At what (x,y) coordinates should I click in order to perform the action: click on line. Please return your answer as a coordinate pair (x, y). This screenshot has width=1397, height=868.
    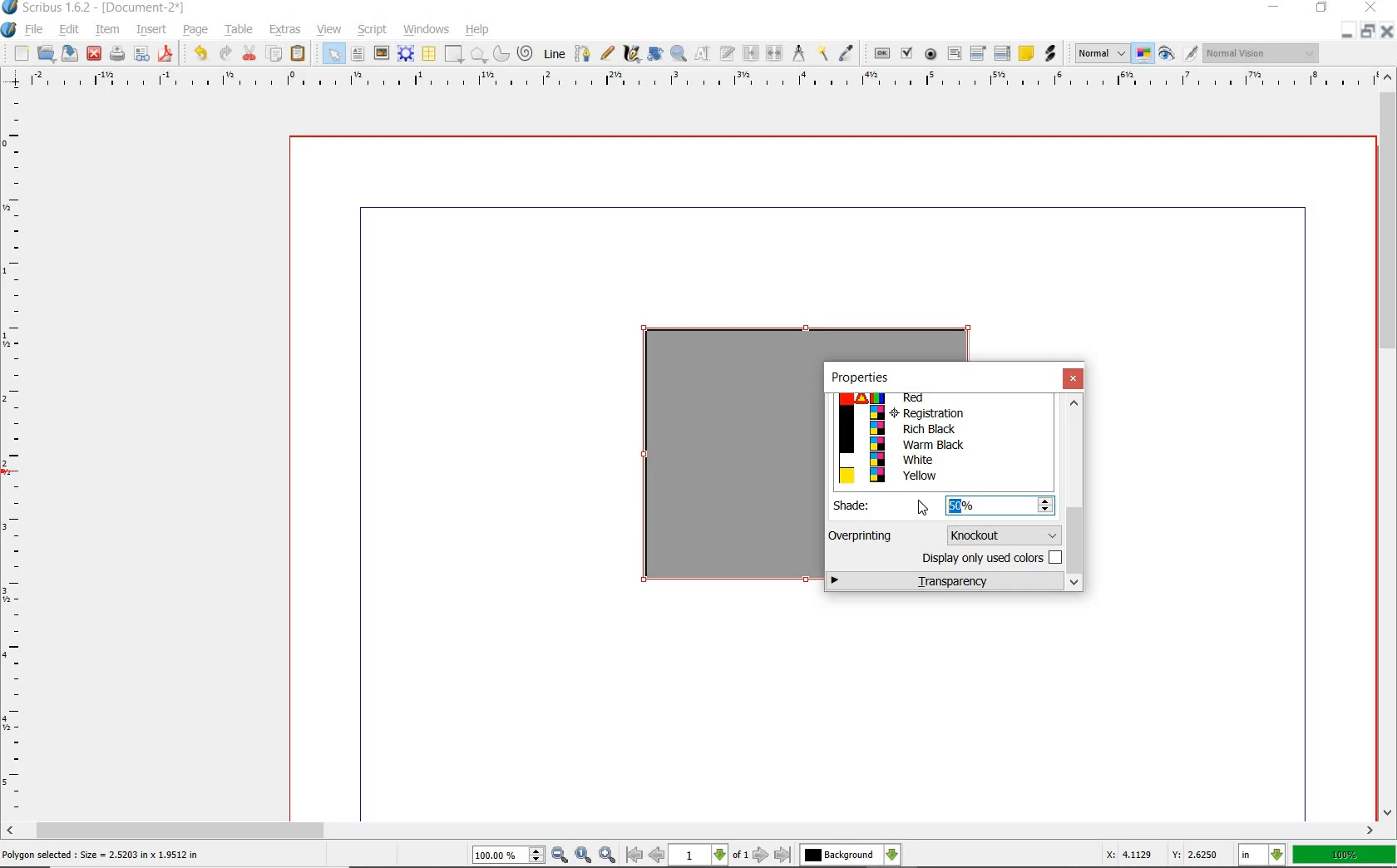
    Looking at the image, I should click on (555, 53).